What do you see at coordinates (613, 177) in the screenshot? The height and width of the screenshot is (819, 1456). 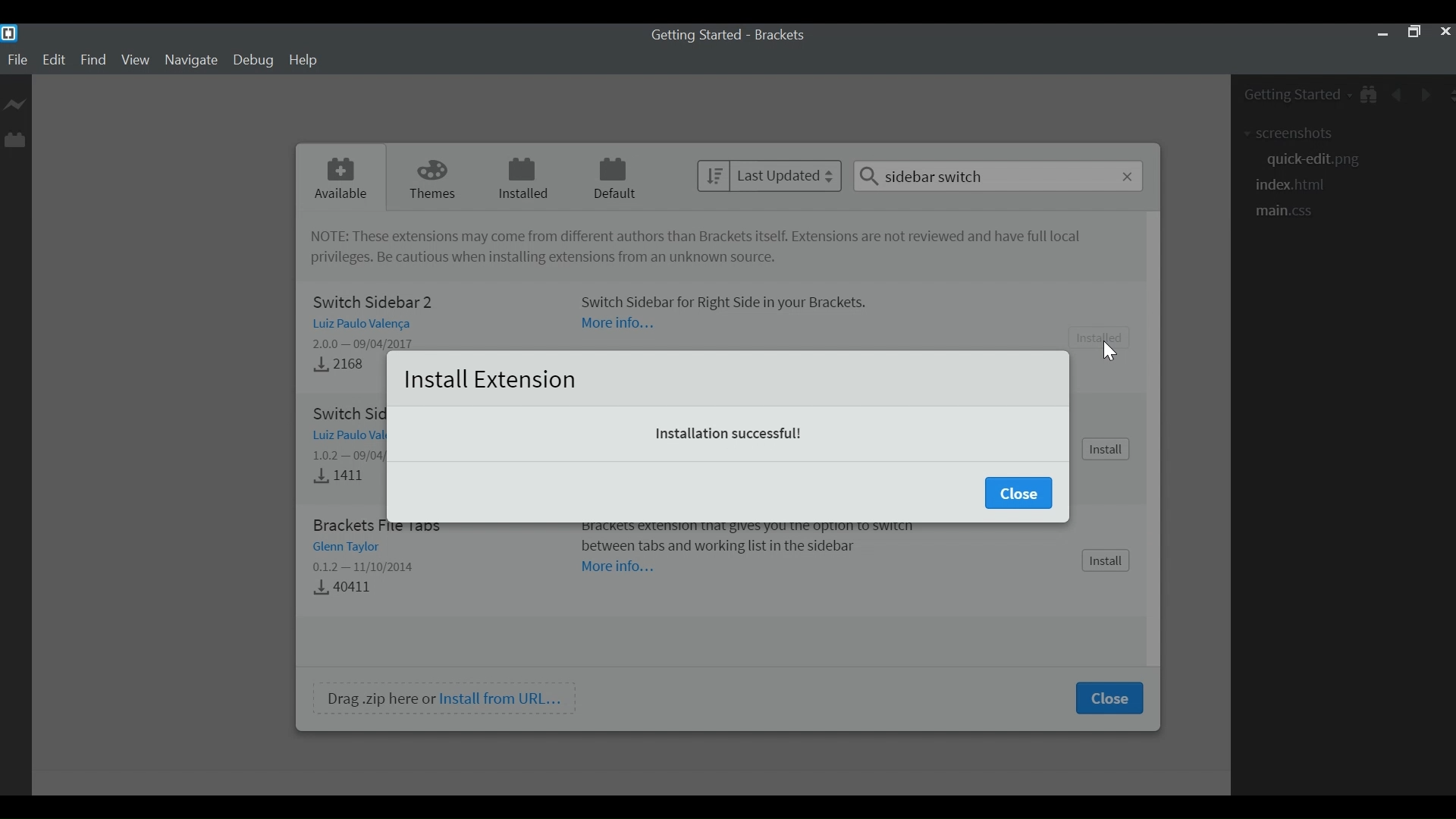 I see `Default` at bounding box center [613, 177].